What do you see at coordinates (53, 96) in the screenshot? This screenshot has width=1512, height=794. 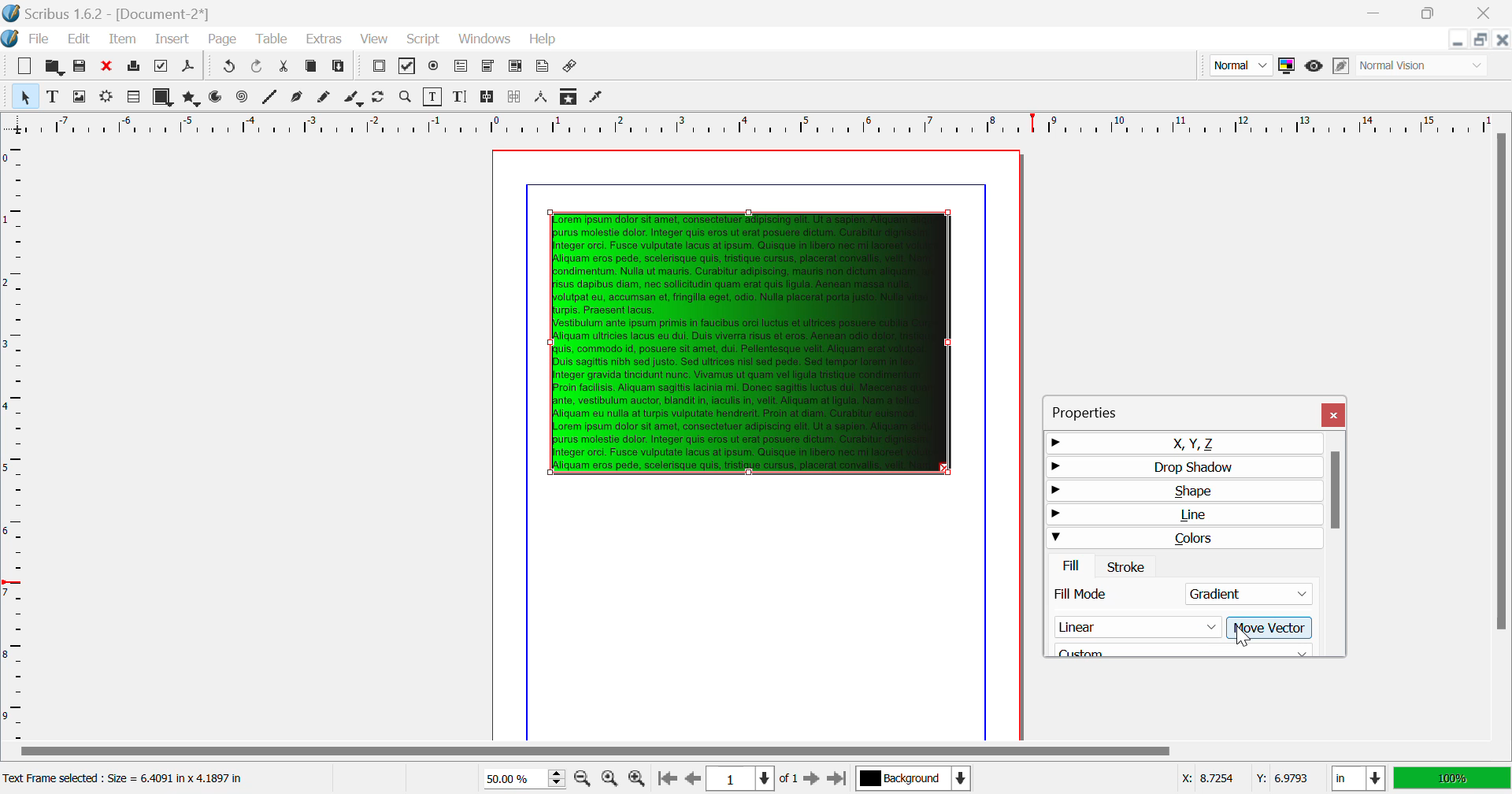 I see `Text Frame` at bounding box center [53, 96].